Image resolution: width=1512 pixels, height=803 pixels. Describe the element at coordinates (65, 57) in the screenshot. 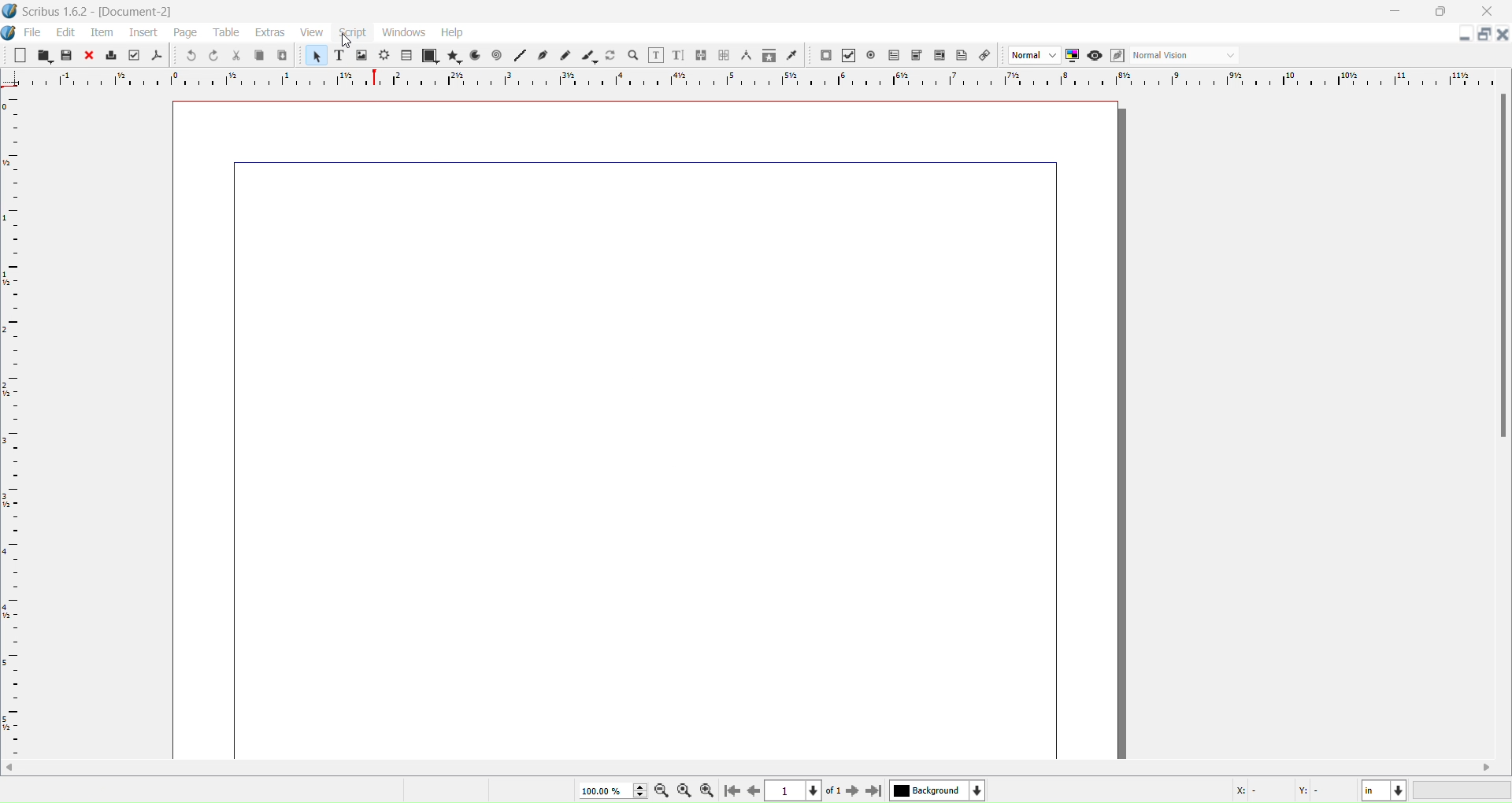

I see `Save` at that location.